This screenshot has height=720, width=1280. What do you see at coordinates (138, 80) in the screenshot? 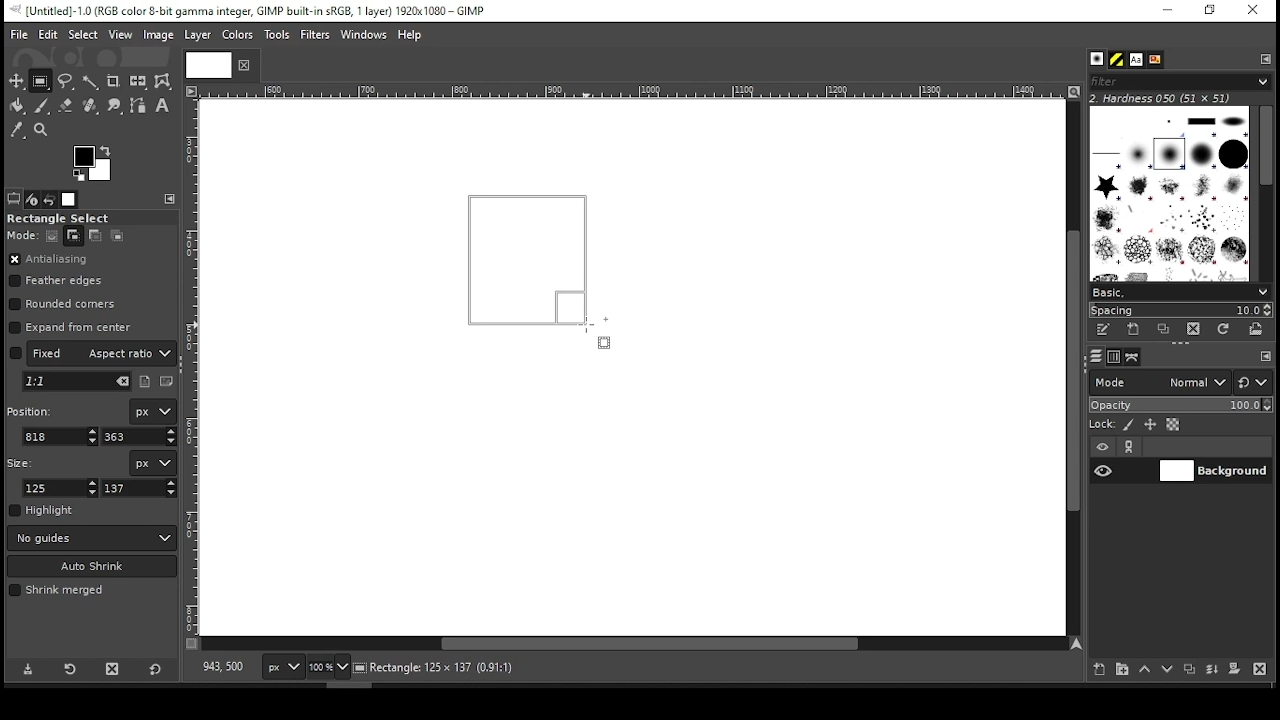
I see `flip tool` at bounding box center [138, 80].